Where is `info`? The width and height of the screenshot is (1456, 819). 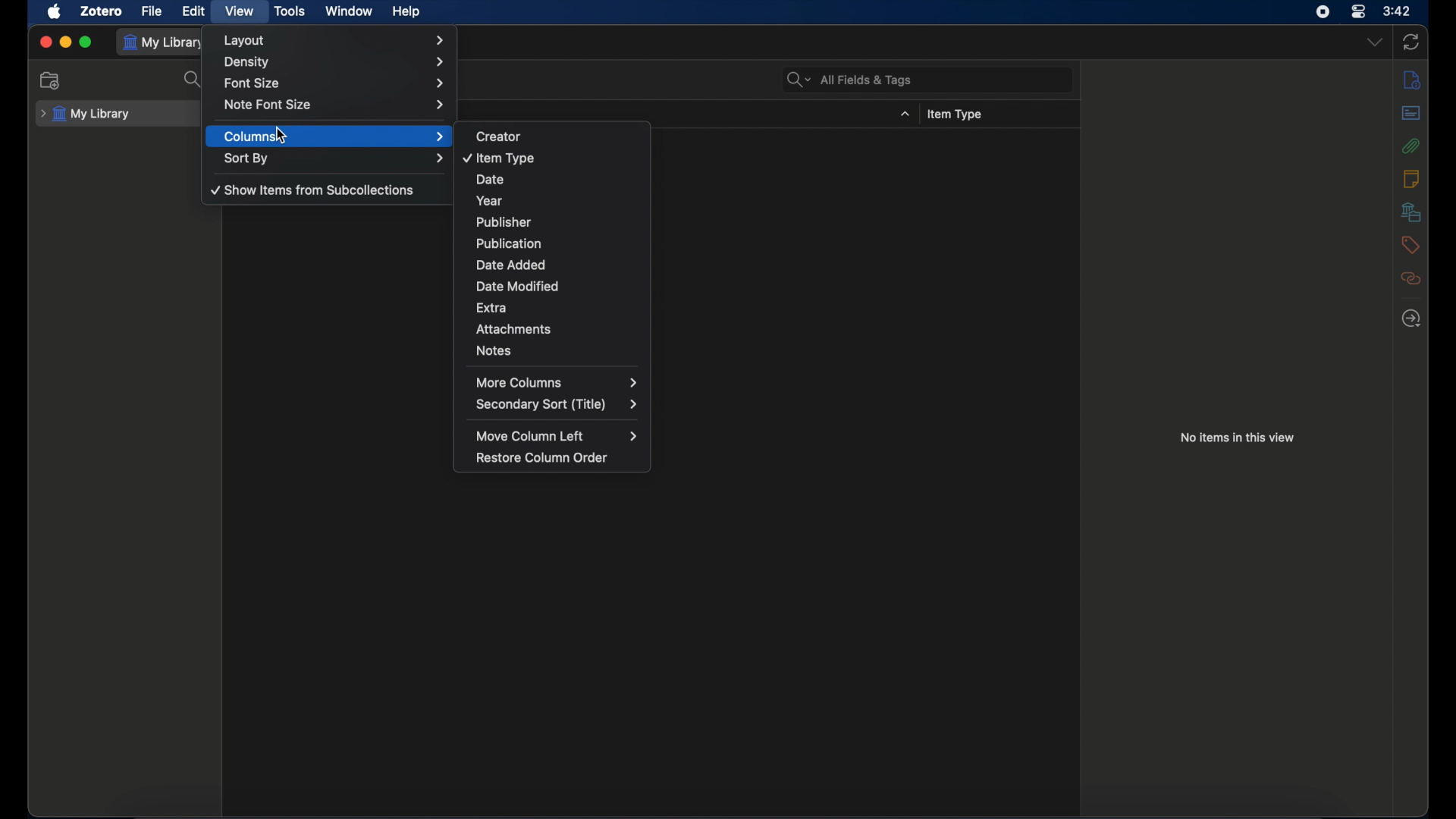
info is located at coordinates (1411, 80).